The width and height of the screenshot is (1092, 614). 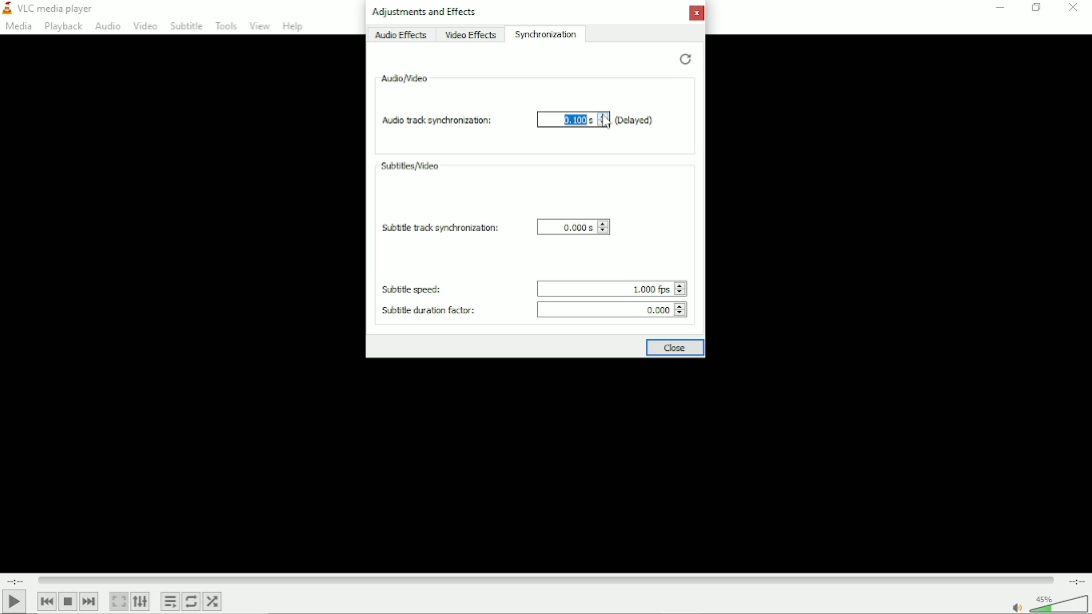 What do you see at coordinates (674, 347) in the screenshot?
I see `Close` at bounding box center [674, 347].